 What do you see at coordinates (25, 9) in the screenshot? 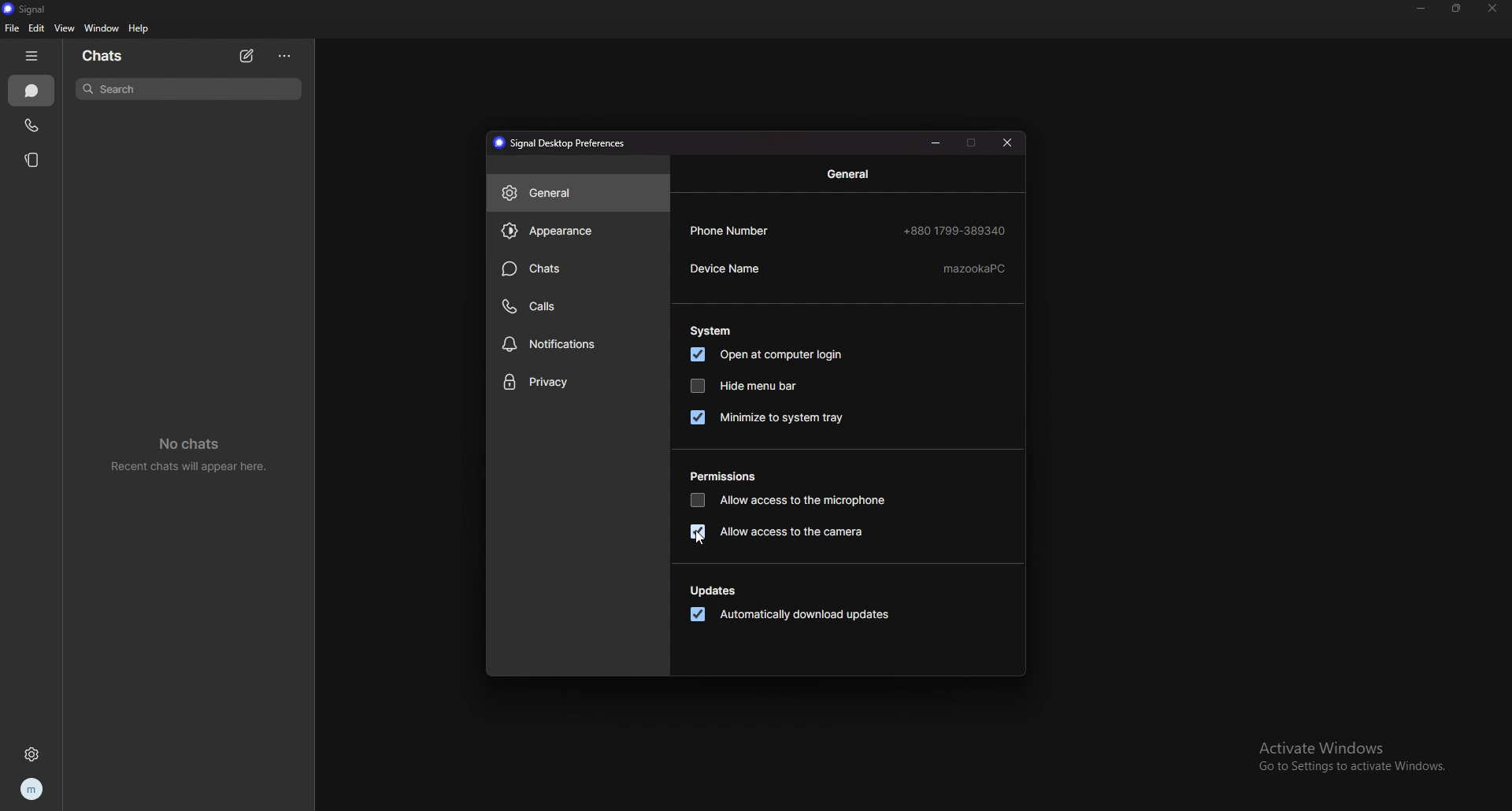
I see `signal` at bounding box center [25, 9].